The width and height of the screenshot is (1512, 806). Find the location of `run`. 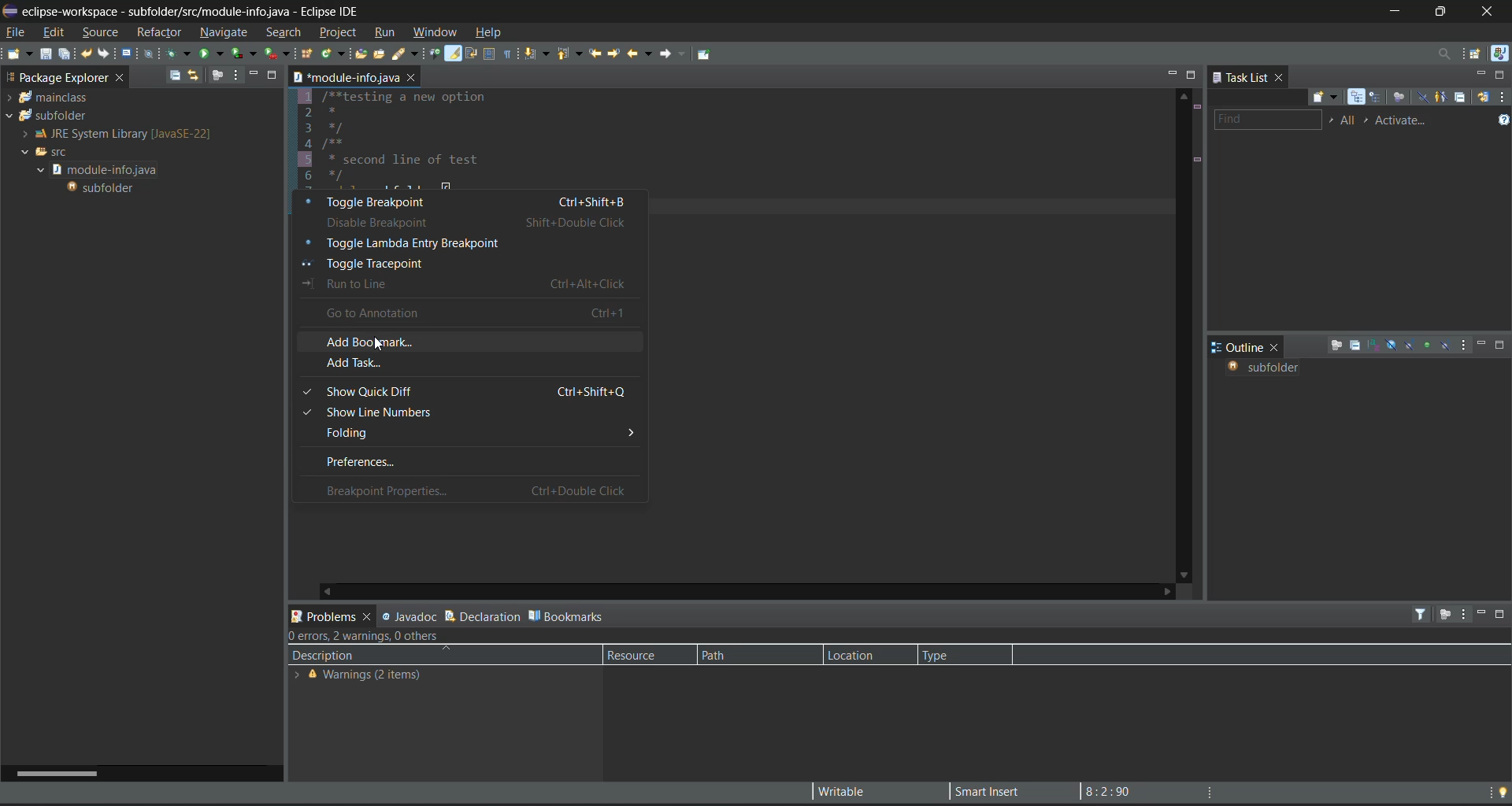

run is located at coordinates (388, 33).